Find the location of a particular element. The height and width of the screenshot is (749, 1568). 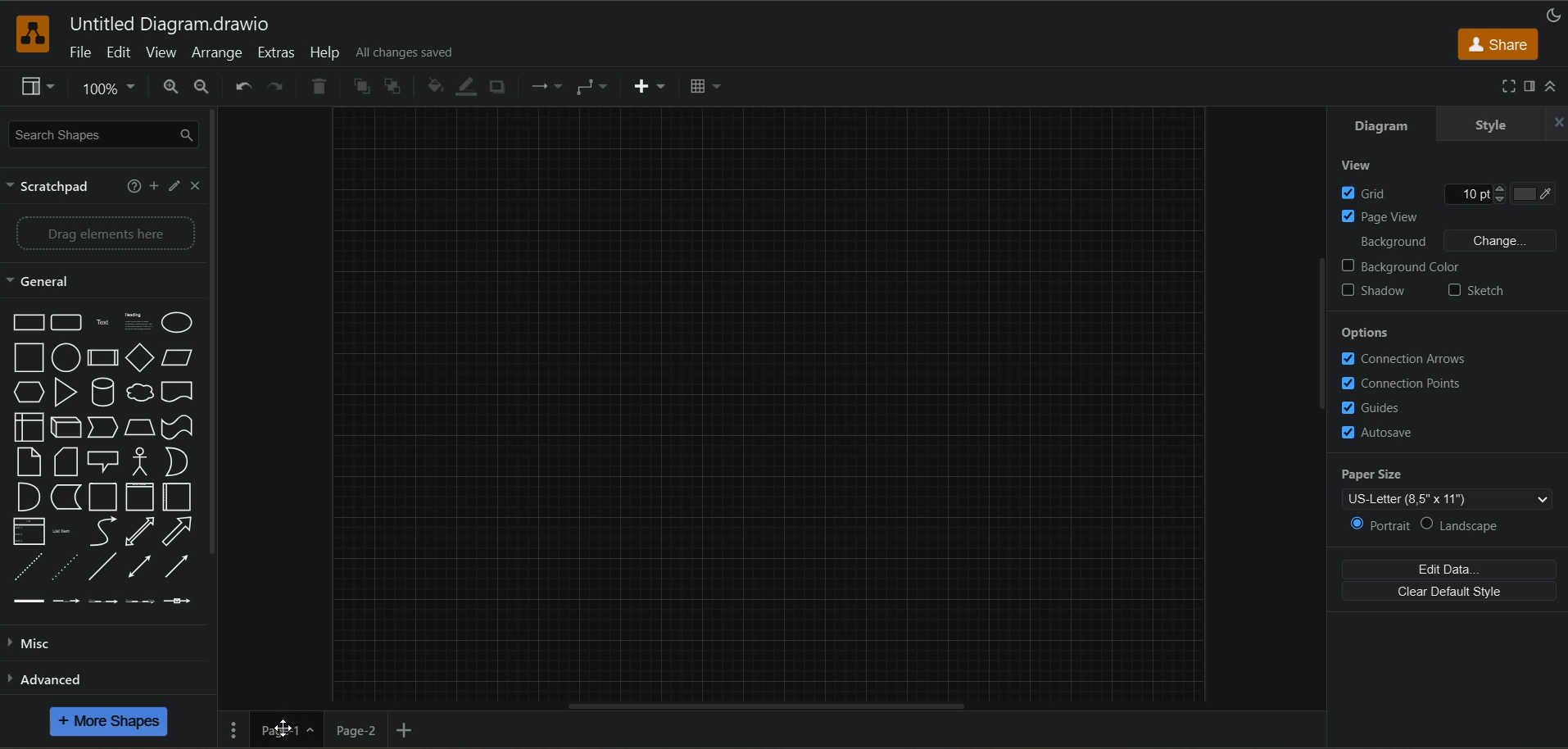

Grid line size is located at coordinates (1464, 193).